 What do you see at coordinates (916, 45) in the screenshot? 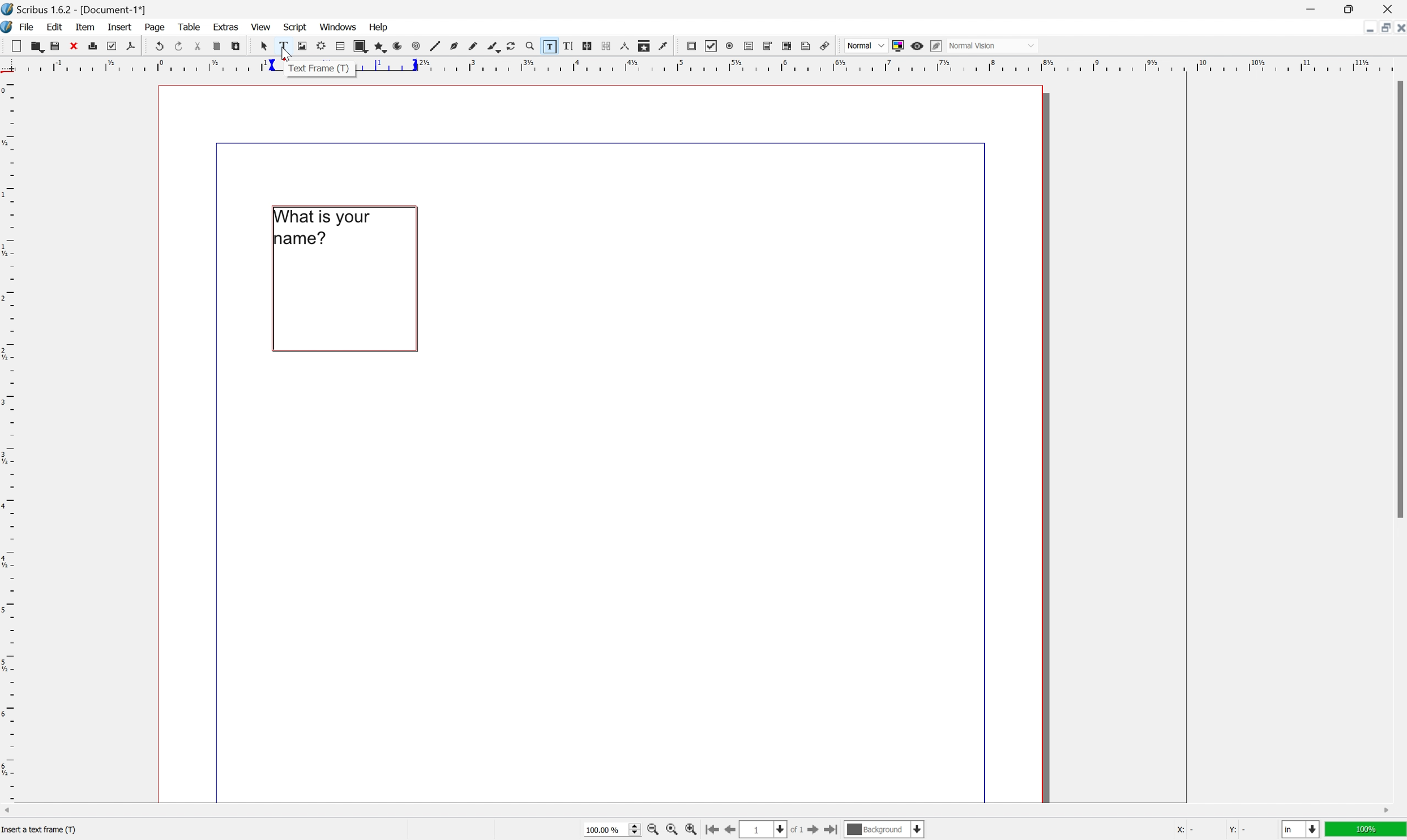
I see `preview mode` at bounding box center [916, 45].